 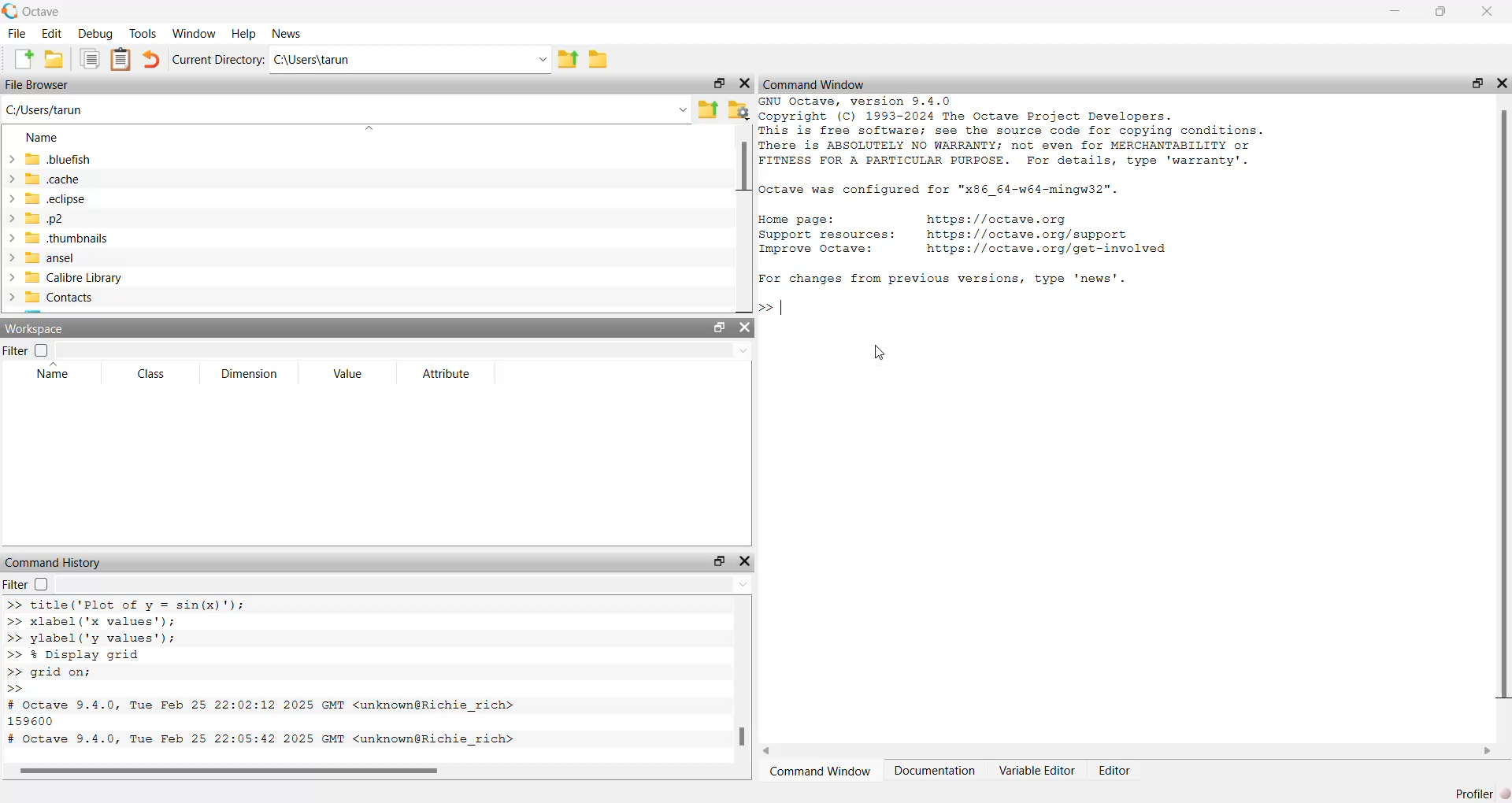 I want to click on >>, so click(x=18, y=690).